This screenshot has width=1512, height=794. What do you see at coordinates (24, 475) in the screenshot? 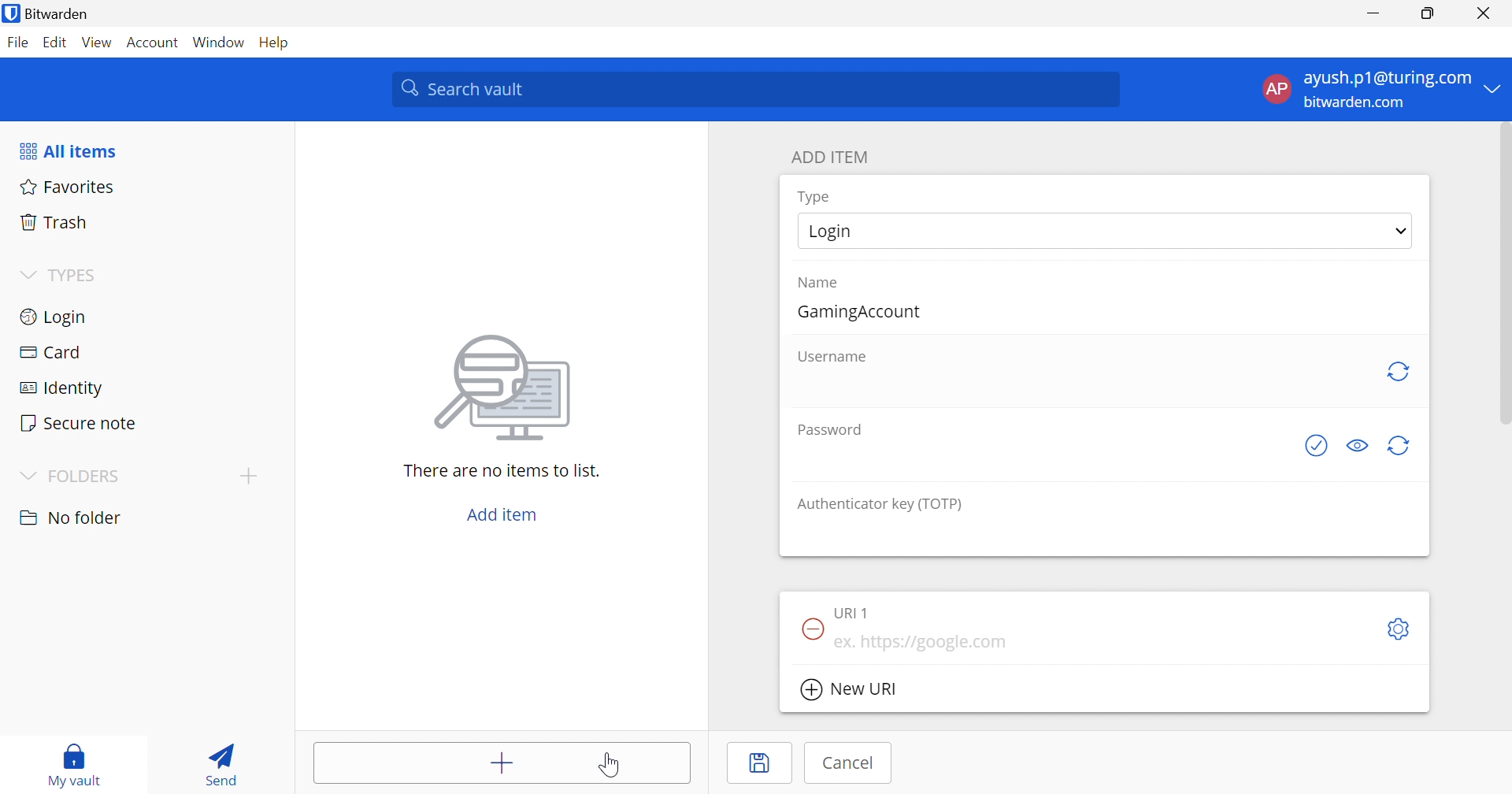
I see `Drop Down` at bounding box center [24, 475].